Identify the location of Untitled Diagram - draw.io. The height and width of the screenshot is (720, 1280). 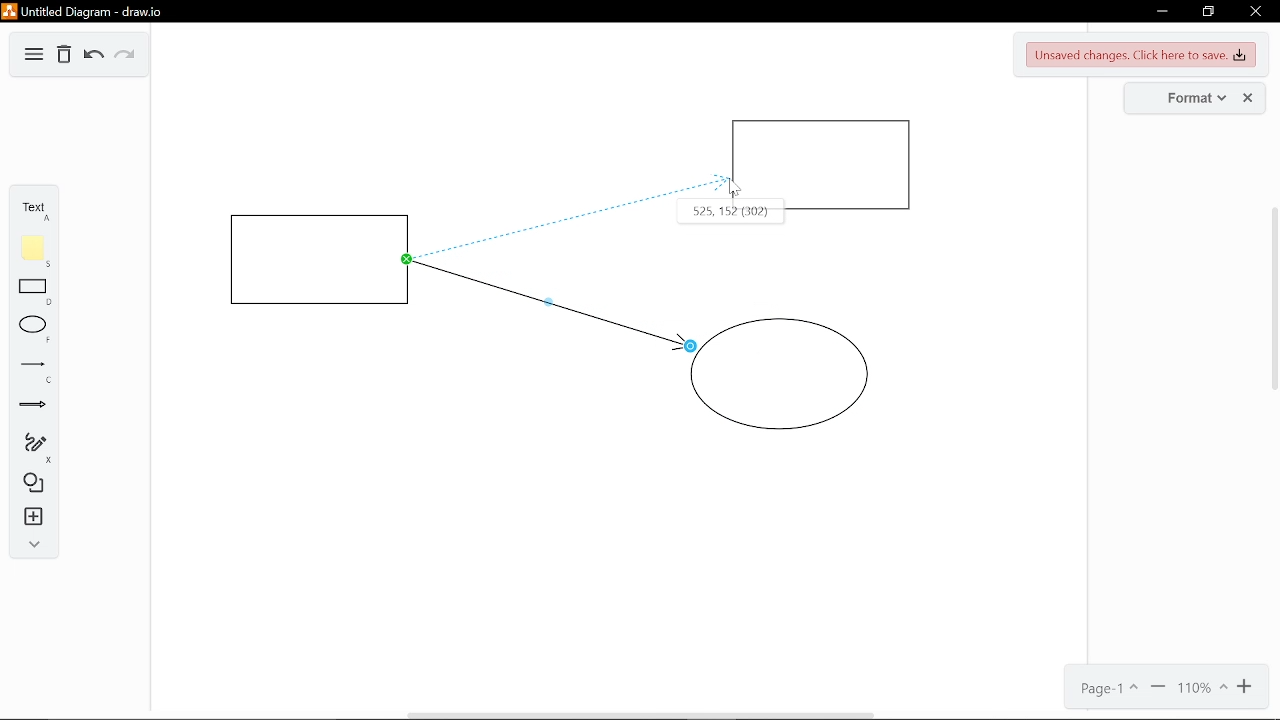
(86, 12).